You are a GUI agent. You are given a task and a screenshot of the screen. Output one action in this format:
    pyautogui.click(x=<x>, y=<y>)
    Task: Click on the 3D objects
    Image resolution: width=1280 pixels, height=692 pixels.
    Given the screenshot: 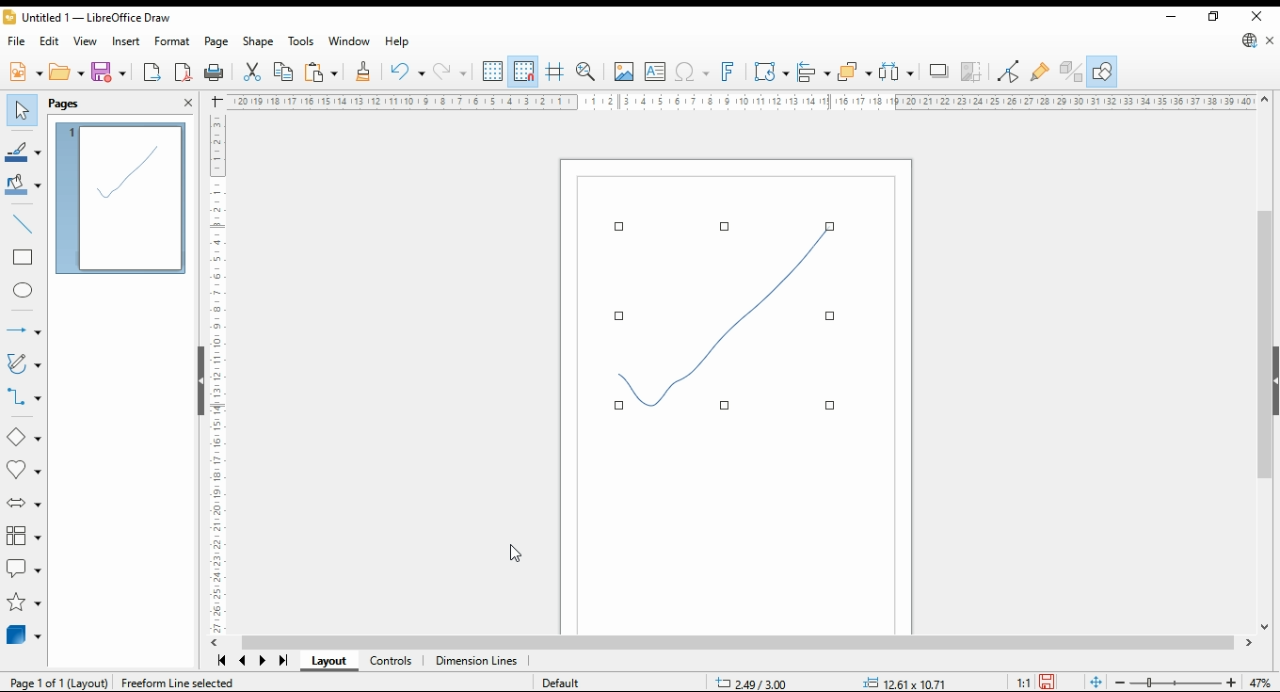 What is the action you would take?
    pyautogui.click(x=23, y=637)
    